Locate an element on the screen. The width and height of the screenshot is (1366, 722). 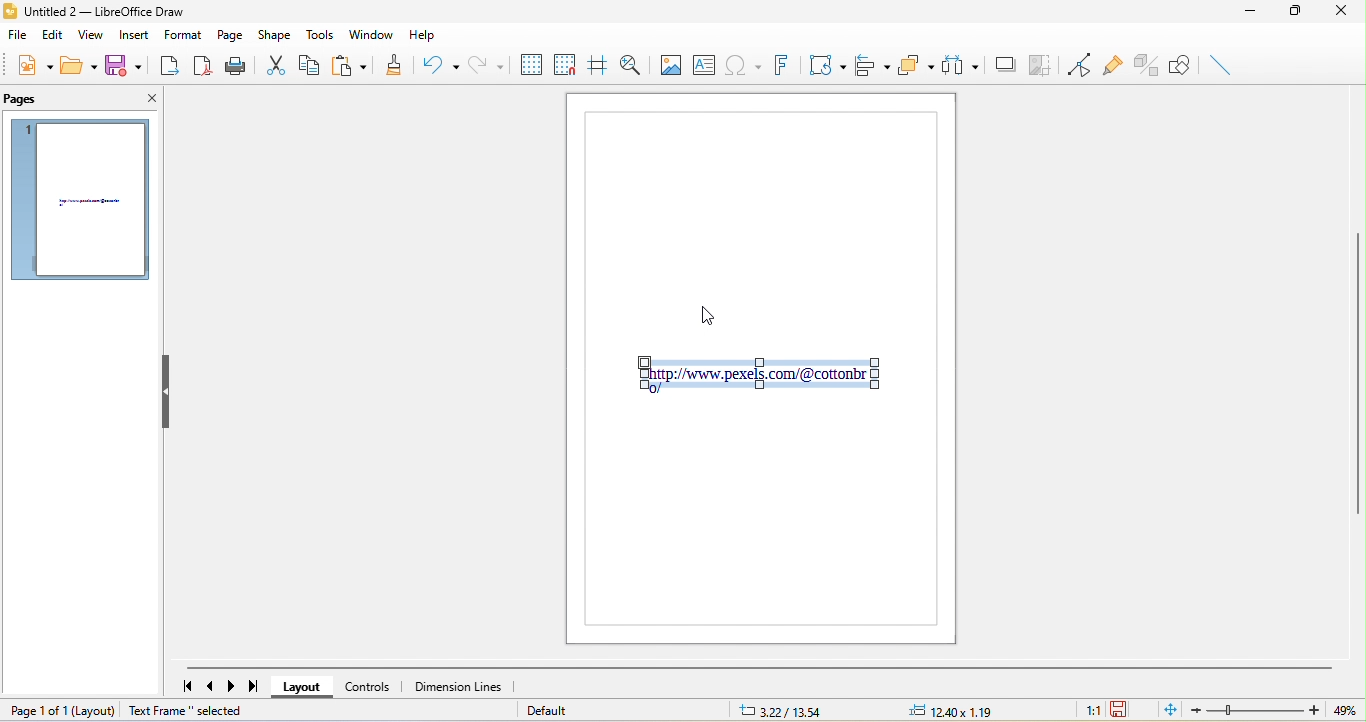
close is located at coordinates (1346, 11).